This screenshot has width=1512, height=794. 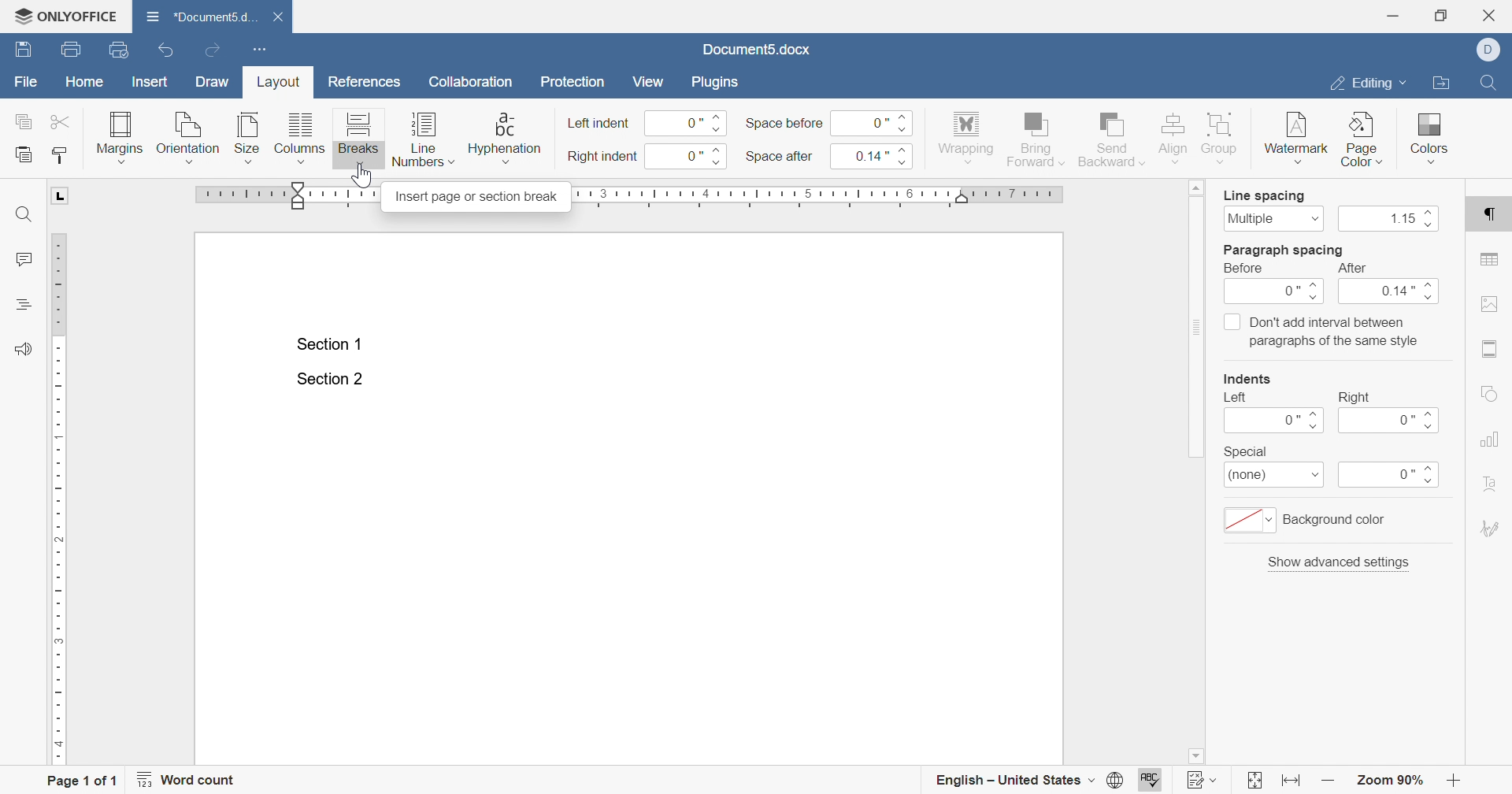 What do you see at coordinates (1174, 137) in the screenshot?
I see `align` at bounding box center [1174, 137].